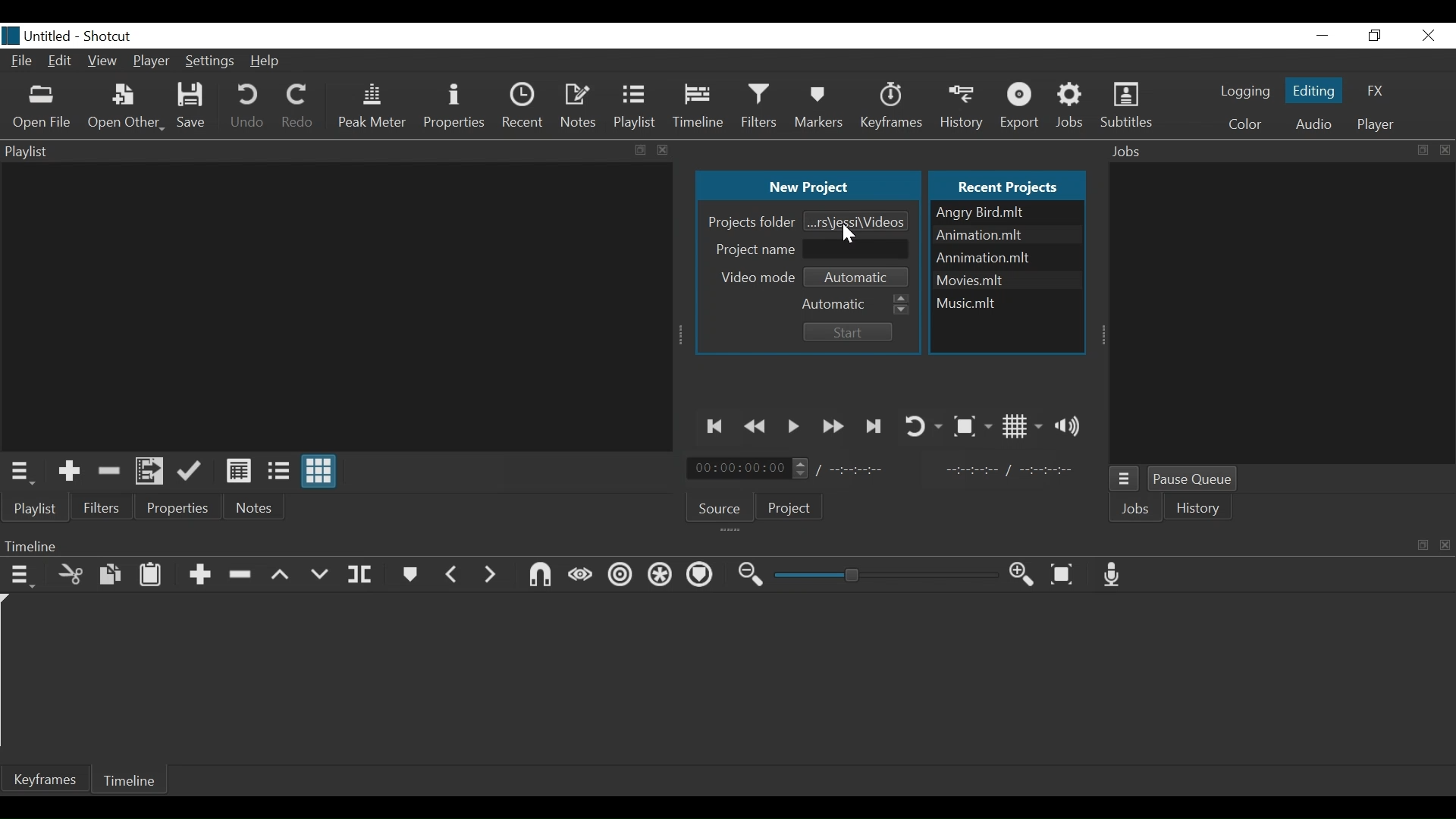 This screenshot has width=1456, height=819. I want to click on Automatic, so click(856, 302).